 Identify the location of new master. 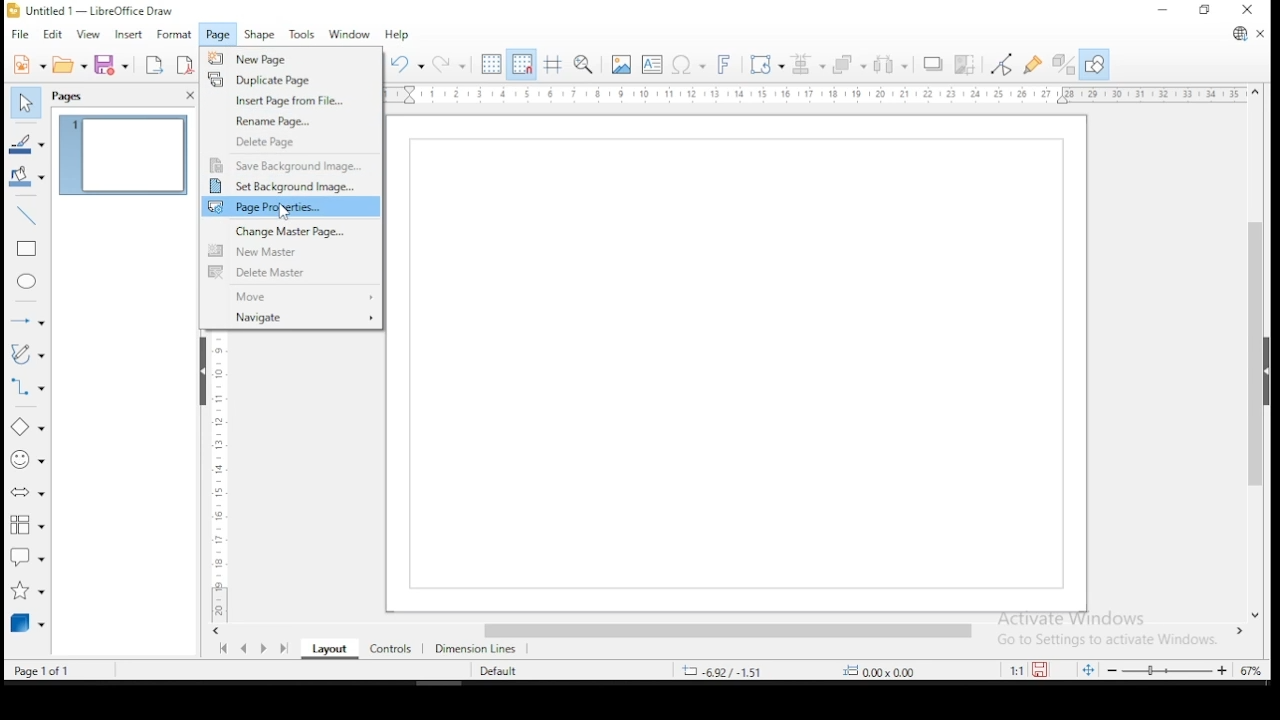
(288, 253).